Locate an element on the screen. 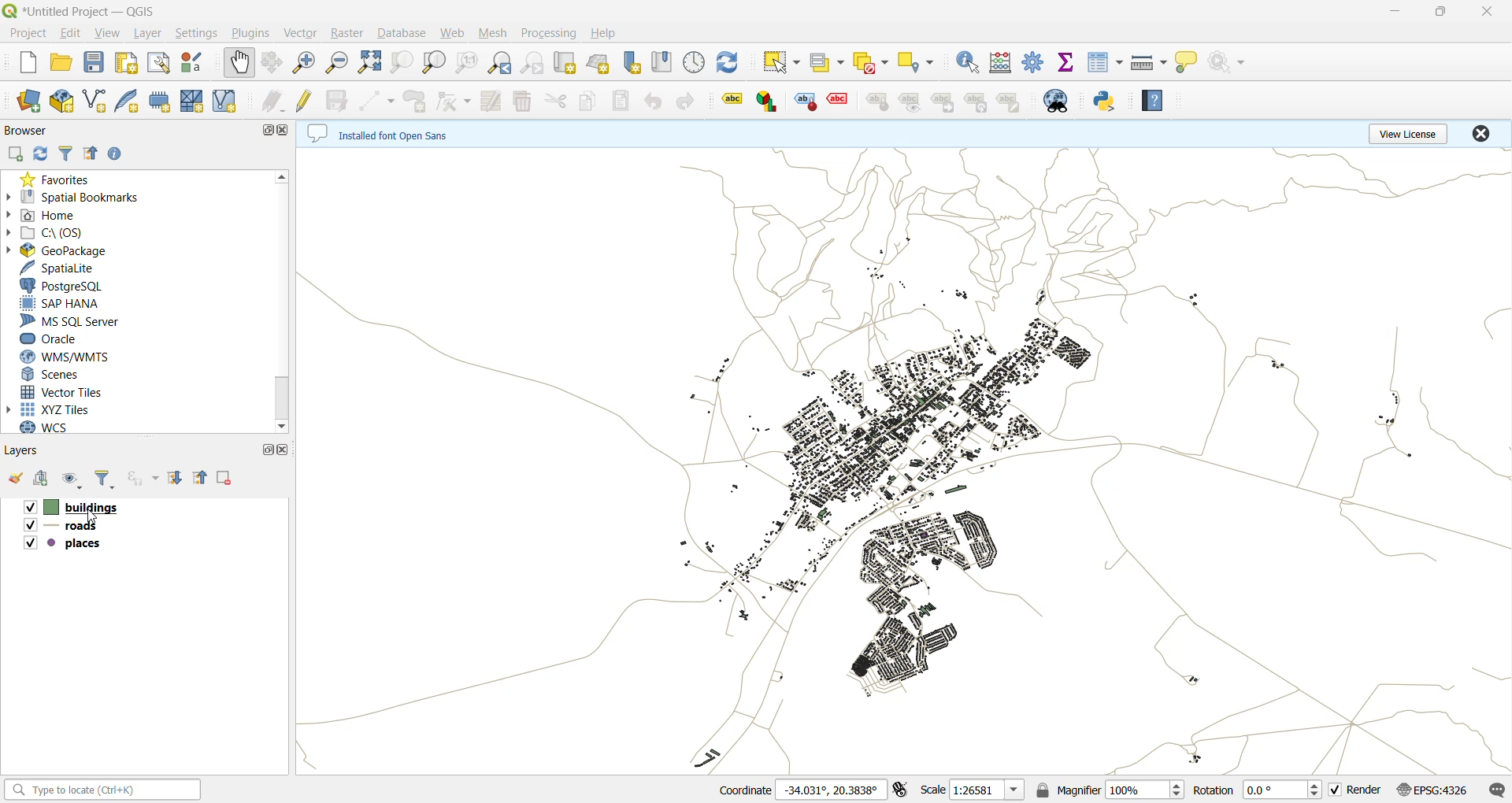 This screenshot has height=803, width=1512. processing is located at coordinates (553, 35).